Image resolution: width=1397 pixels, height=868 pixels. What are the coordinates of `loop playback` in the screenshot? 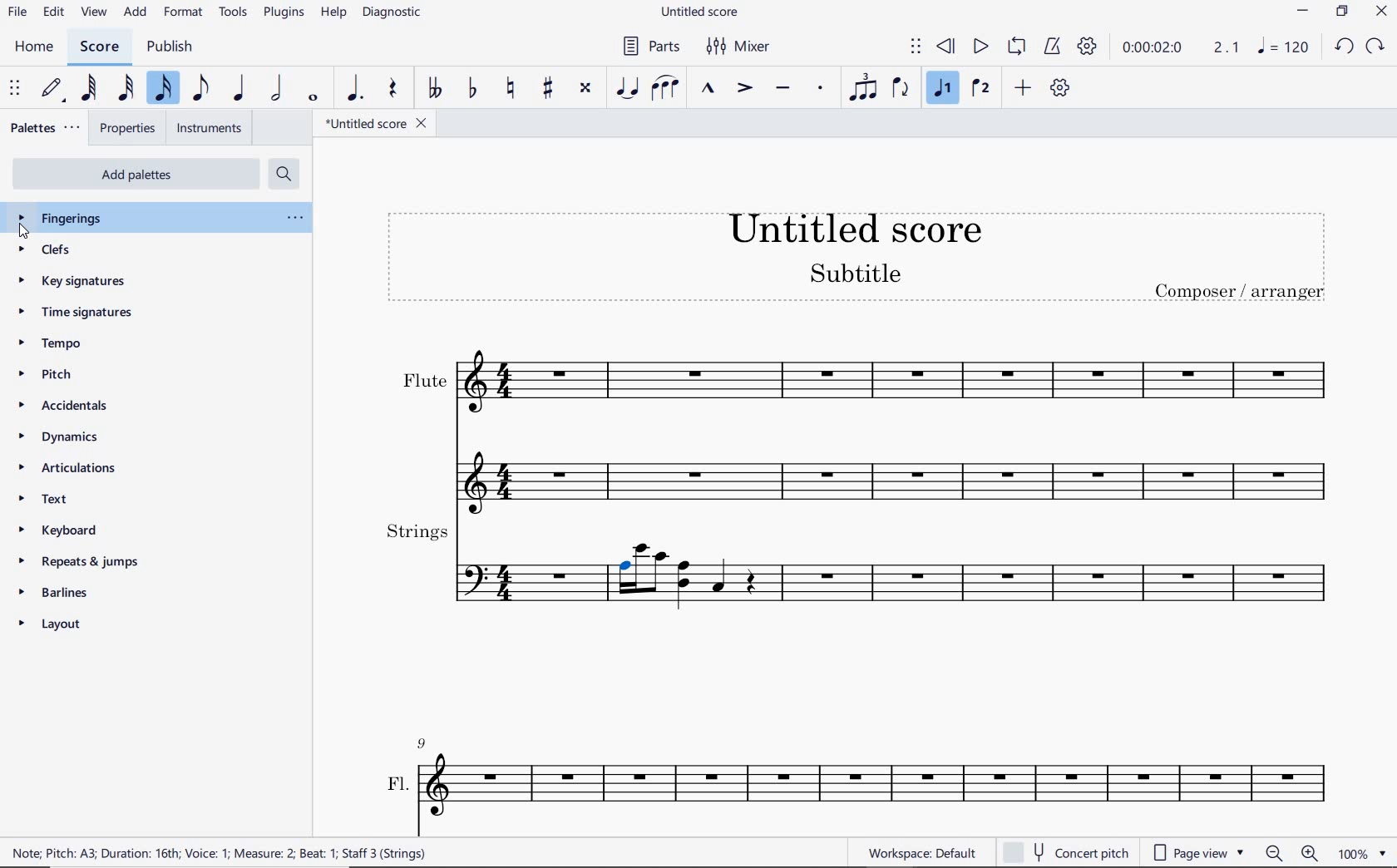 It's located at (1016, 47).